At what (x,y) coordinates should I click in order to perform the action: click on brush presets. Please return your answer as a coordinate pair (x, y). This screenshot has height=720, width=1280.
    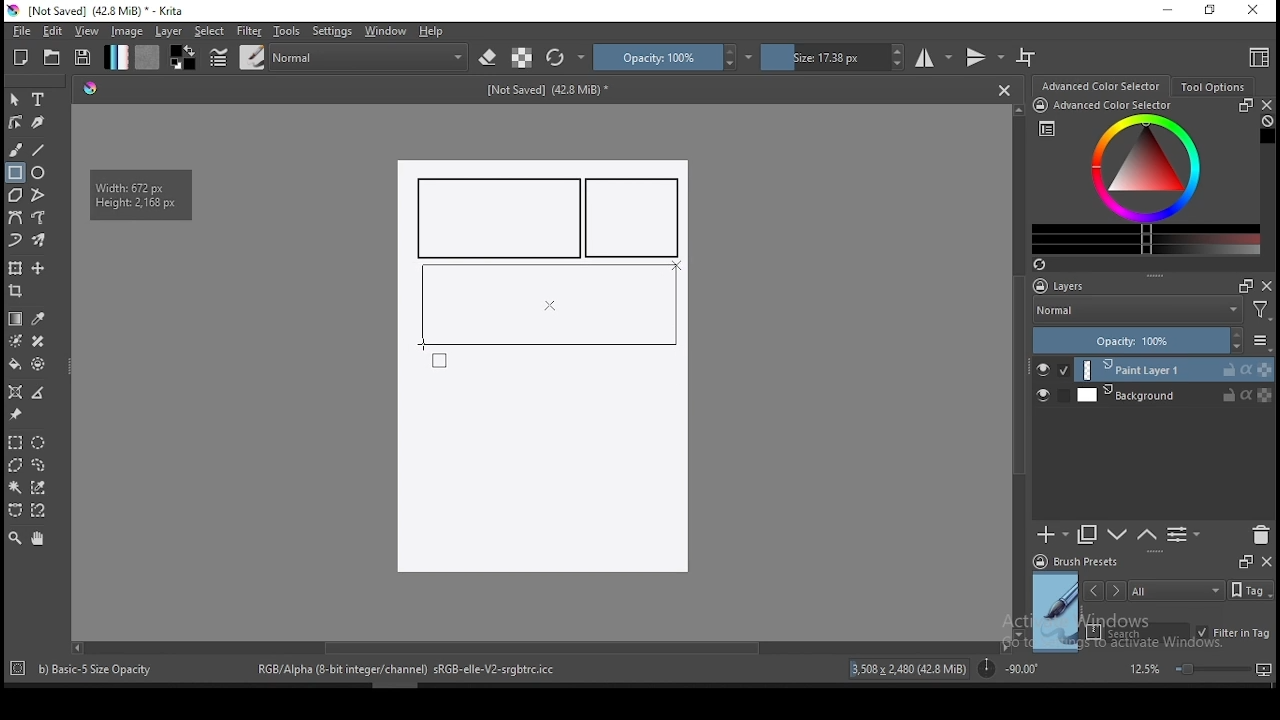
    Looking at the image, I should click on (1082, 562).